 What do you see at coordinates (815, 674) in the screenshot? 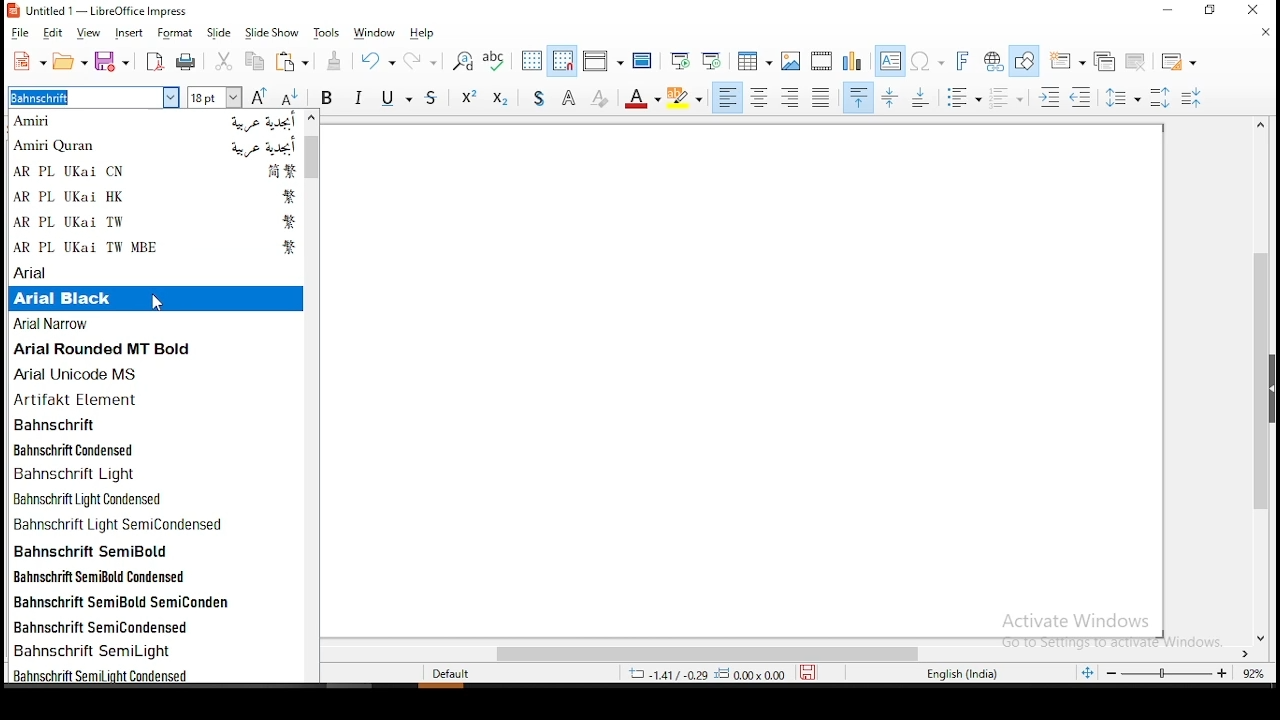
I see `save` at bounding box center [815, 674].